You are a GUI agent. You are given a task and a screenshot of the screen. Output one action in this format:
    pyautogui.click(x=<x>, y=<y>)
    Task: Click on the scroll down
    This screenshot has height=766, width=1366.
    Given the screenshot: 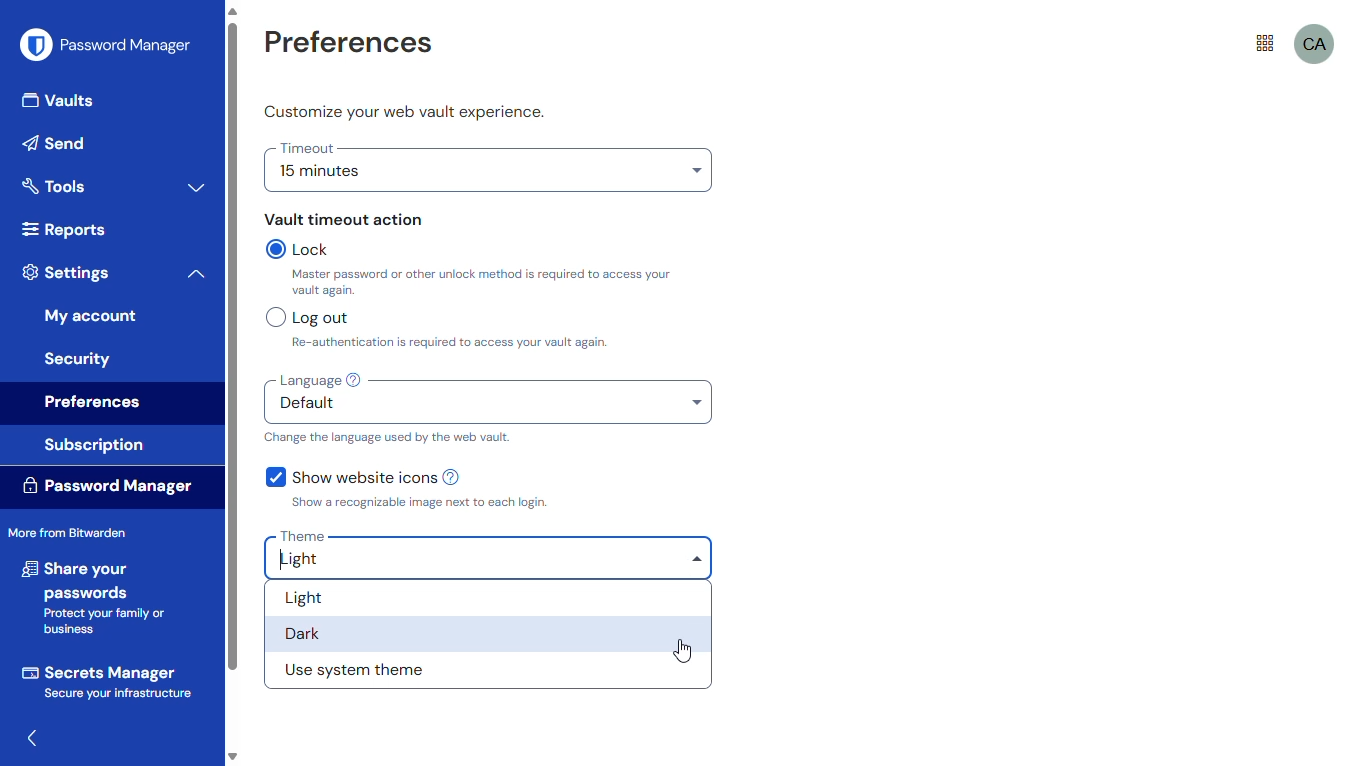 What is the action you would take?
    pyautogui.click(x=232, y=758)
    